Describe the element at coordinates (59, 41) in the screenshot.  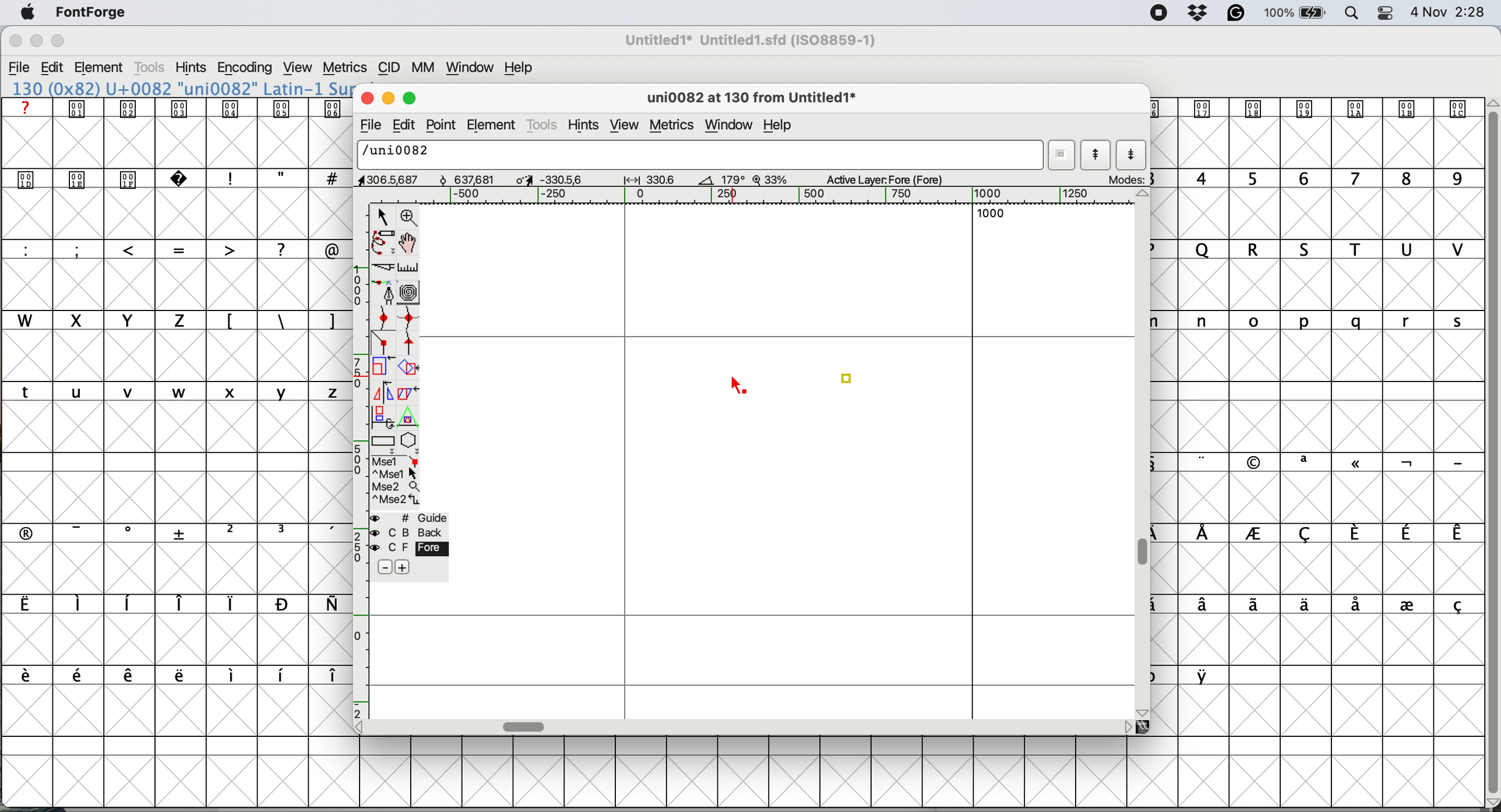
I see `maximise` at that location.